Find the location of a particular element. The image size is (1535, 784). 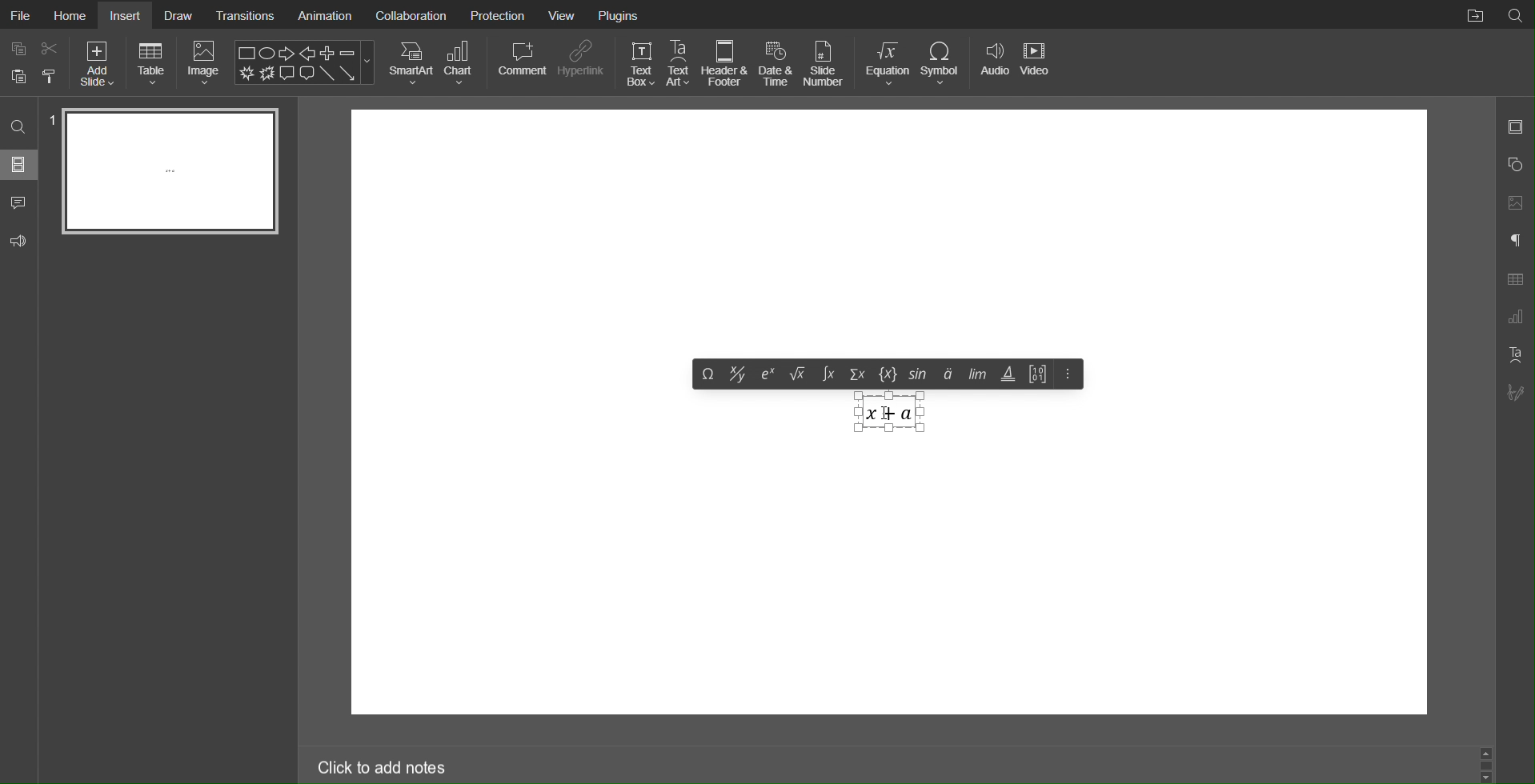

Shapes Settings is located at coordinates (1514, 166).